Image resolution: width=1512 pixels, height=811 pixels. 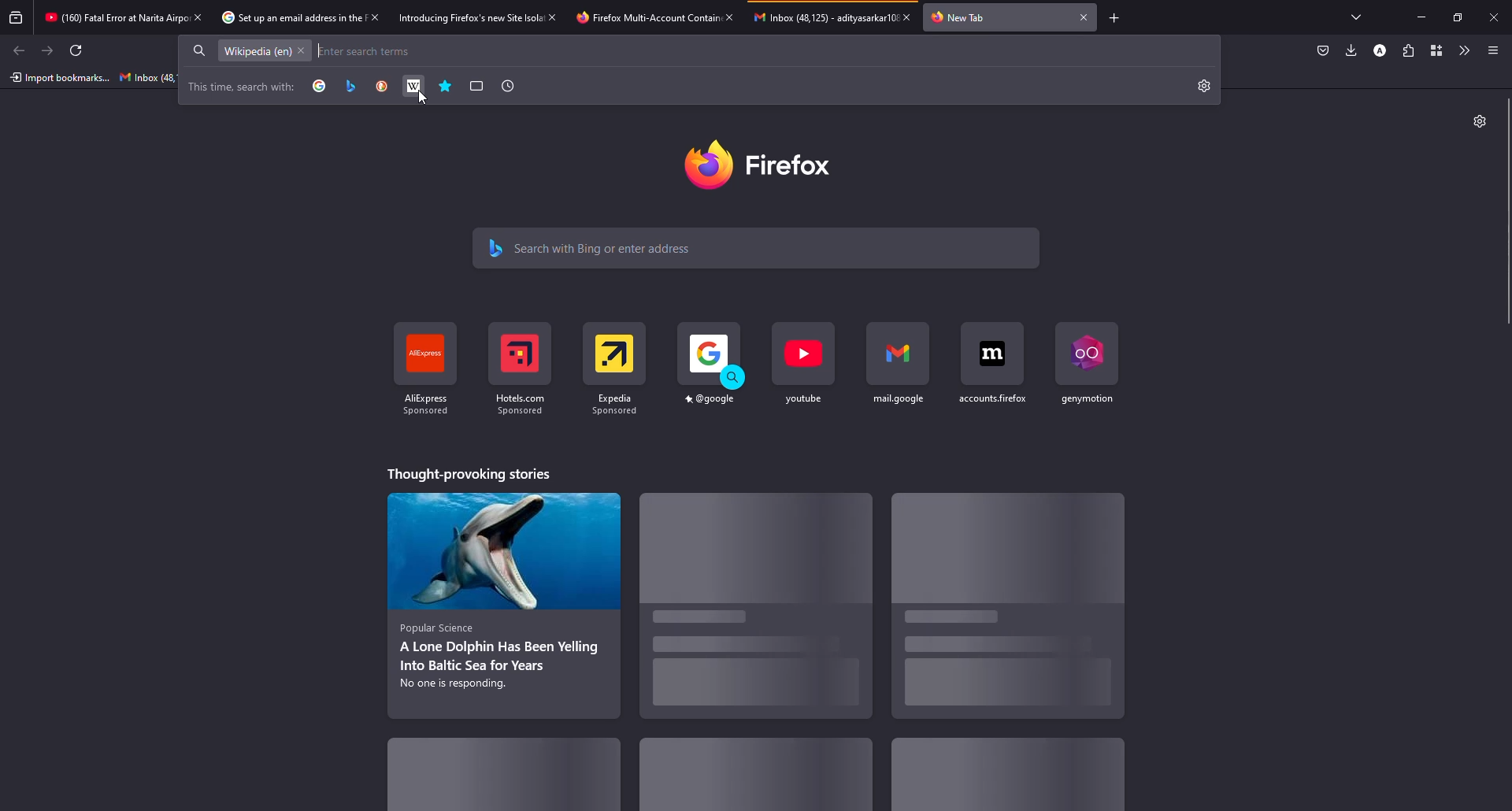 What do you see at coordinates (507, 86) in the screenshot?
I see `history` at bounding box center [507, 86].